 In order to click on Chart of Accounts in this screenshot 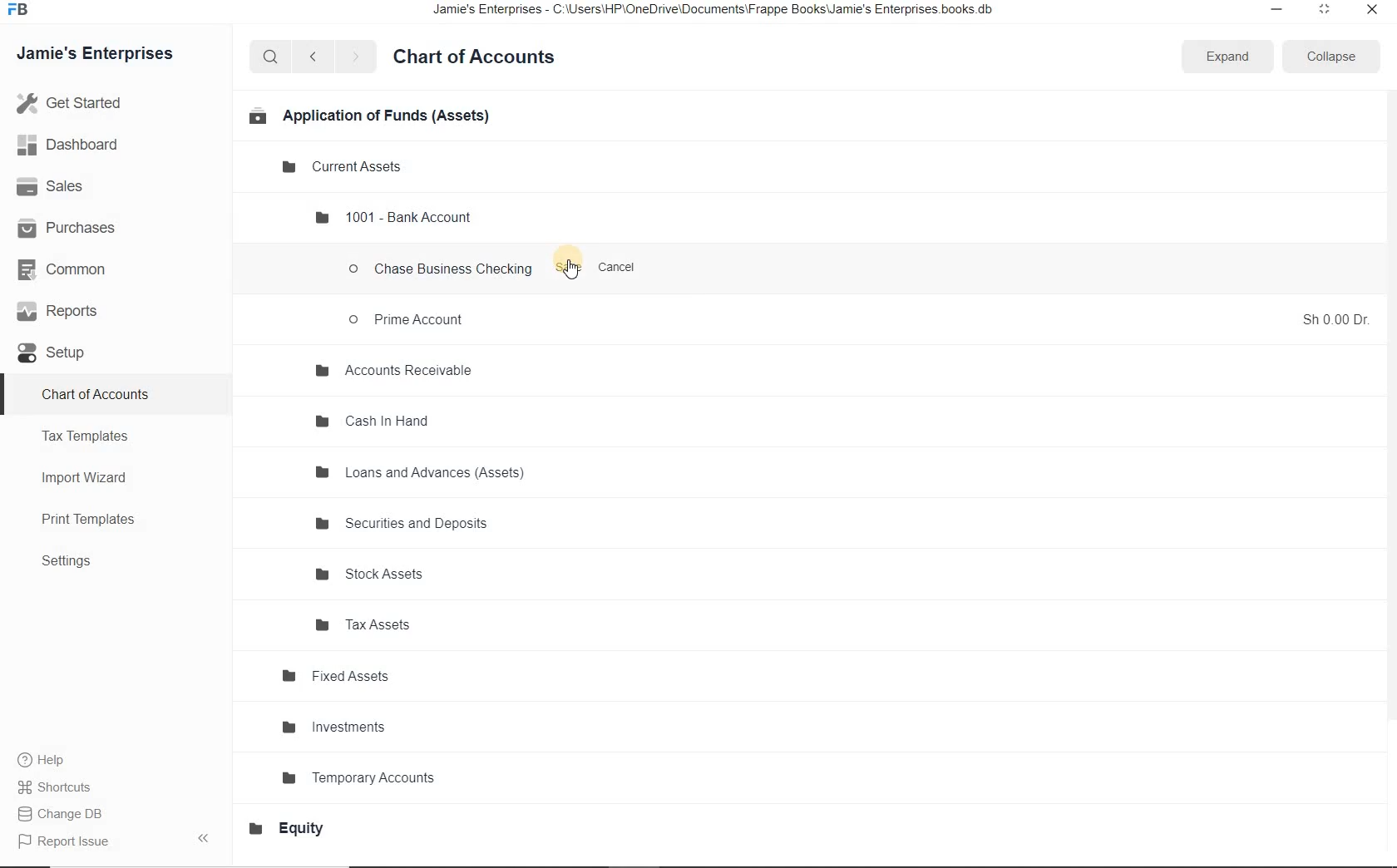, I will do `click(98, 393)`.